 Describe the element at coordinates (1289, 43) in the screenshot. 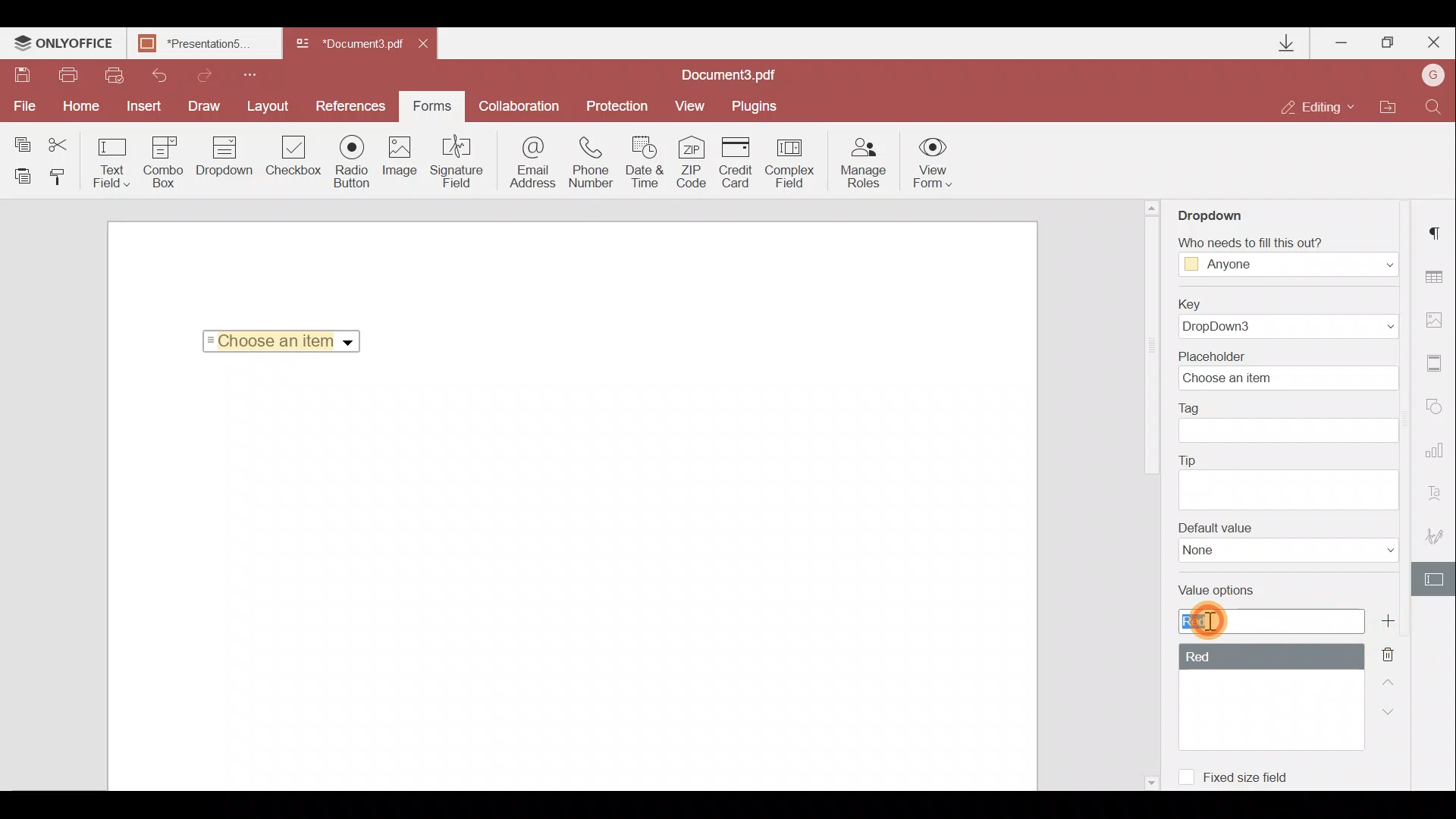

I see `Downloads` at that location.